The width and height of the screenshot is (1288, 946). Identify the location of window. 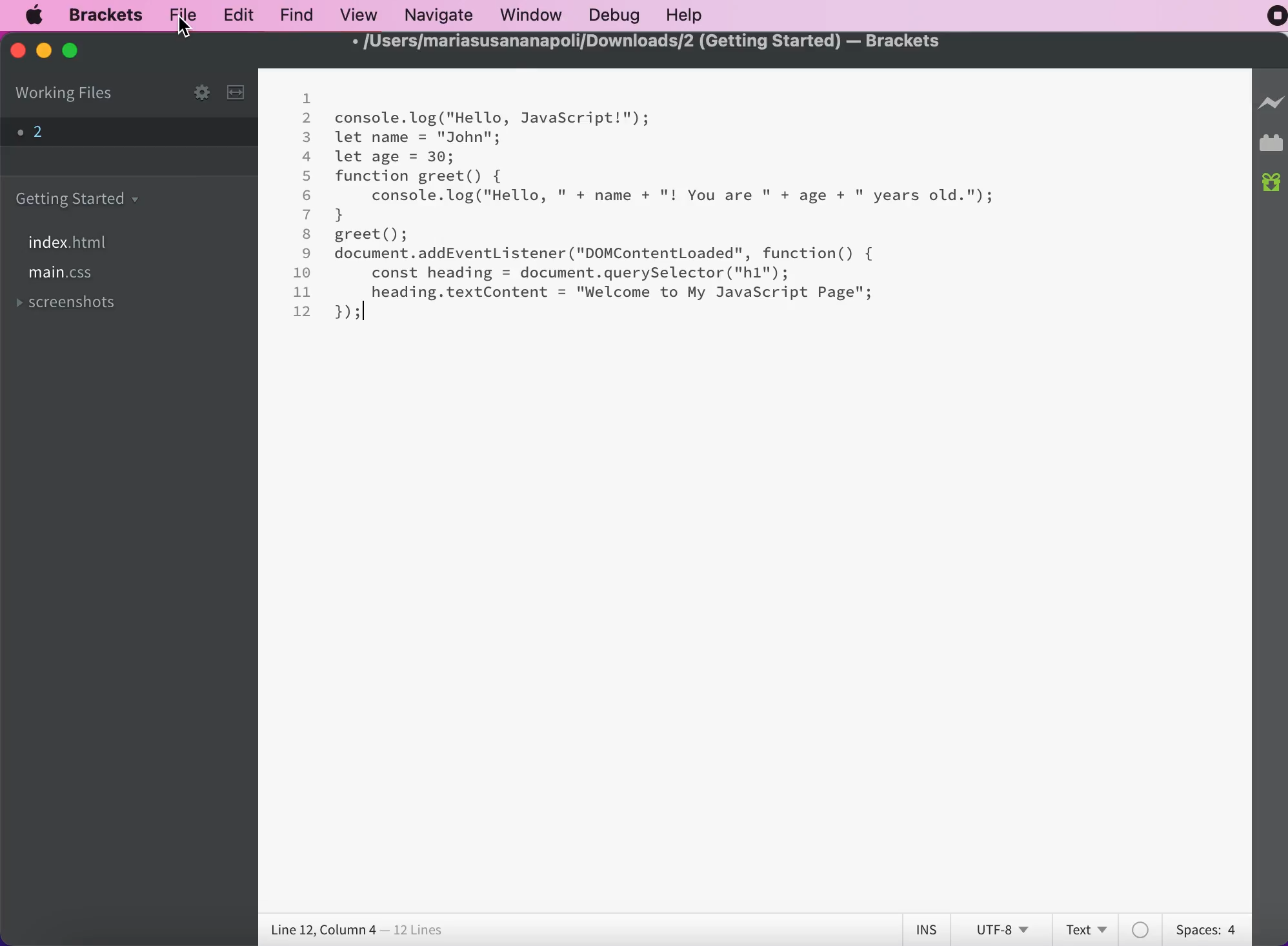
(529, 15).